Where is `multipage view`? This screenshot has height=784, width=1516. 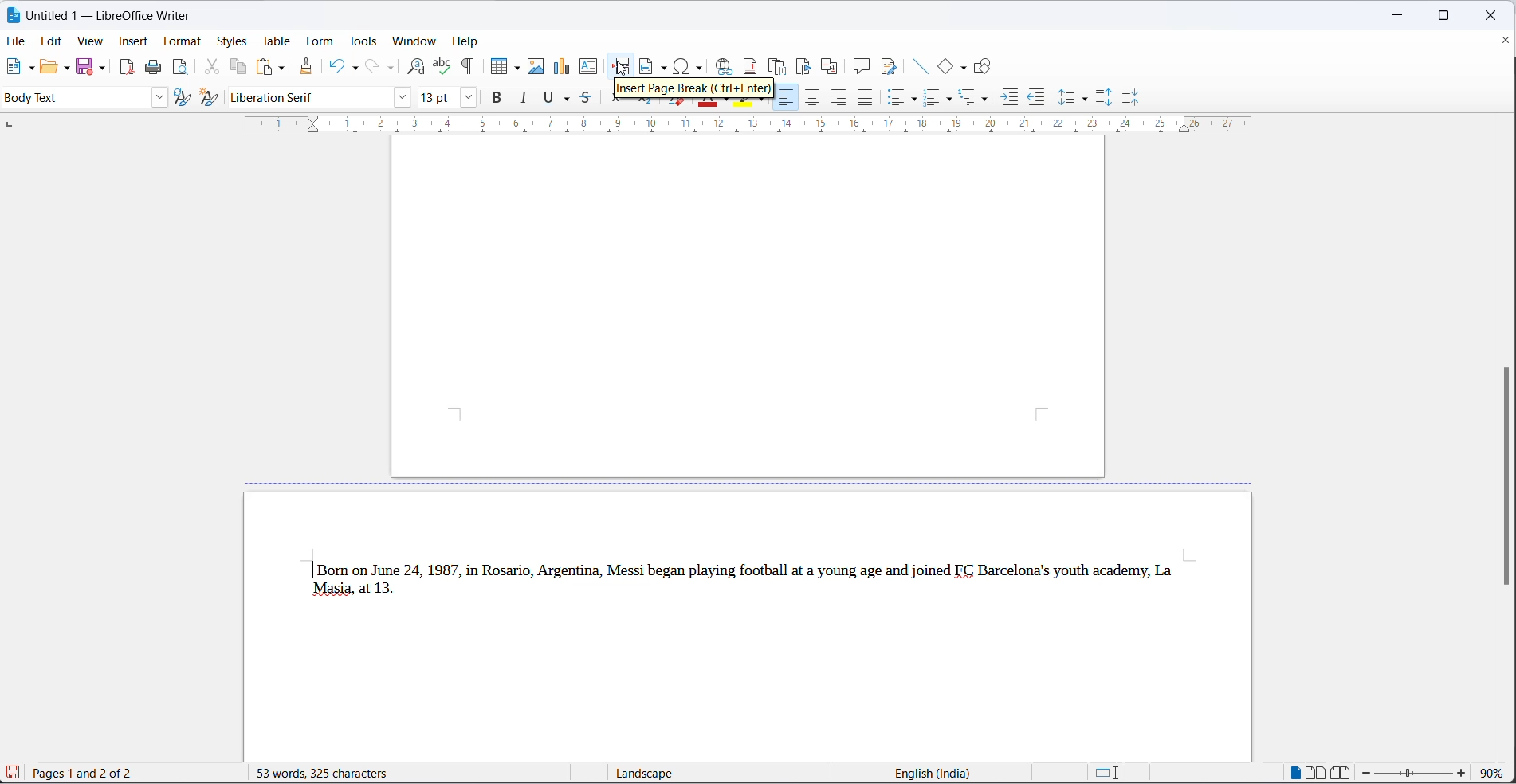 multipage view is located at coordinates (1316, 772).